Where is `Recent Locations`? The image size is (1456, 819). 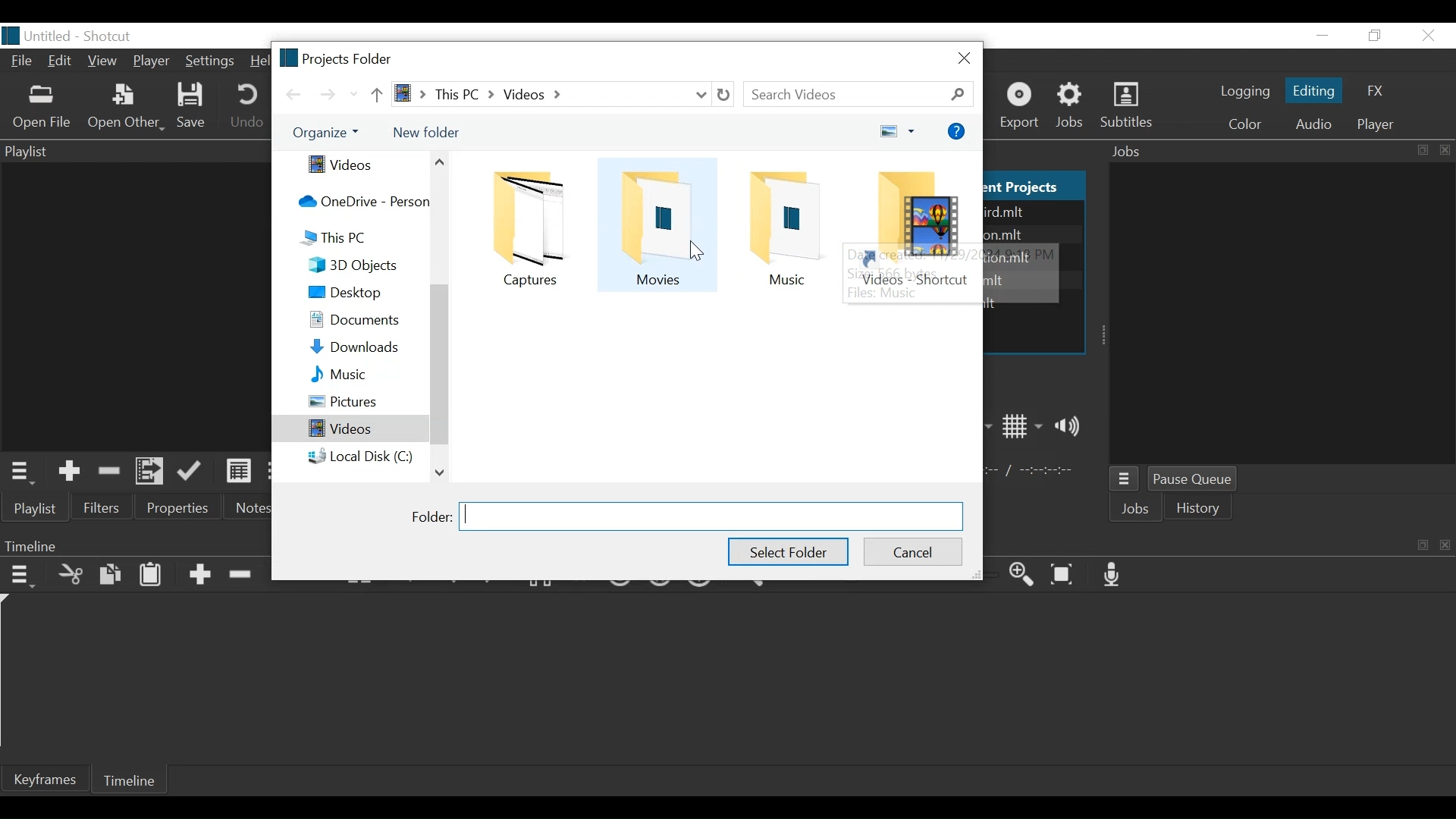 Recent Locations is located at coordinates (351, 93).